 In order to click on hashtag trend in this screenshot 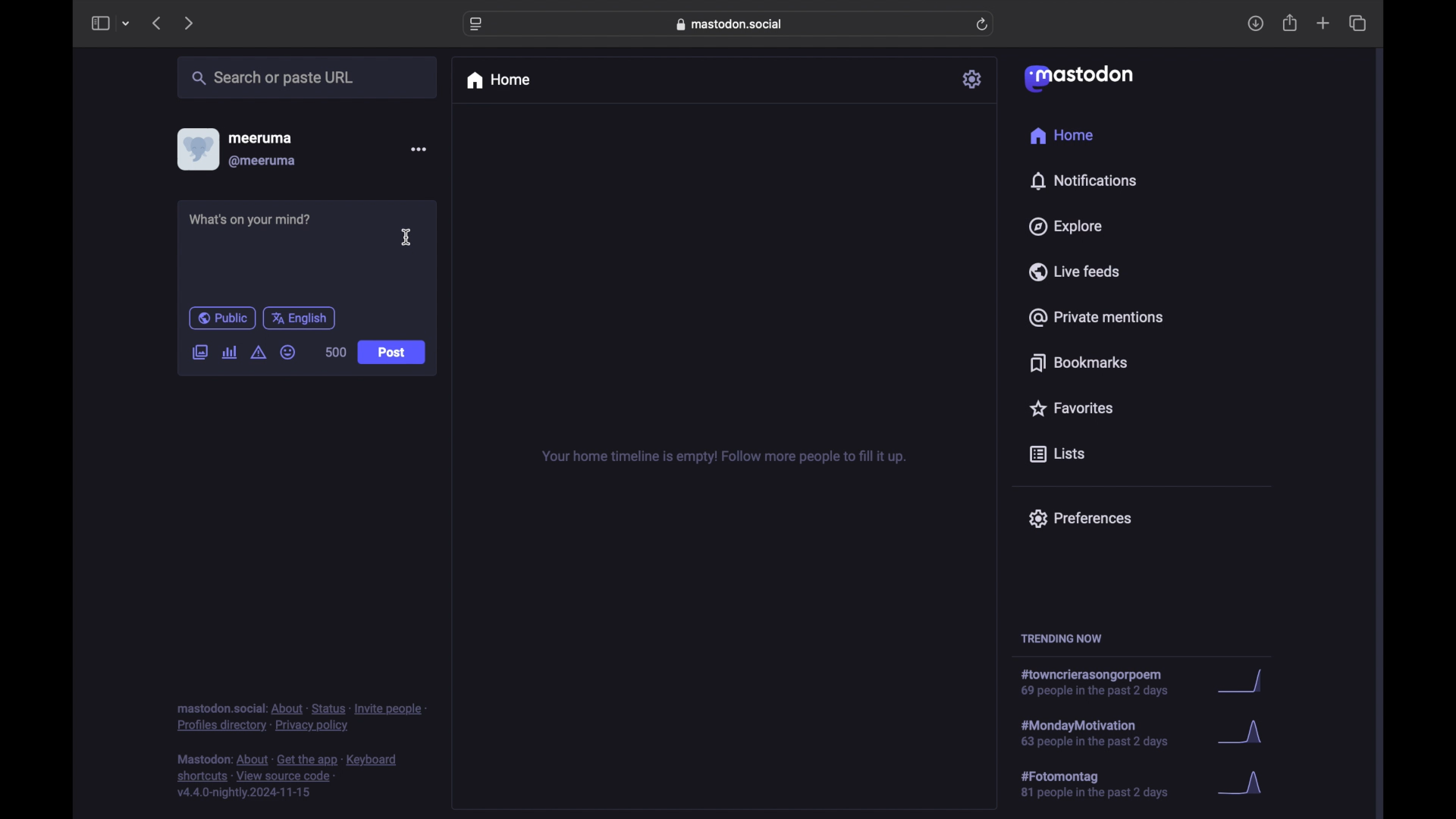, I will do `click(1105, 732)`.